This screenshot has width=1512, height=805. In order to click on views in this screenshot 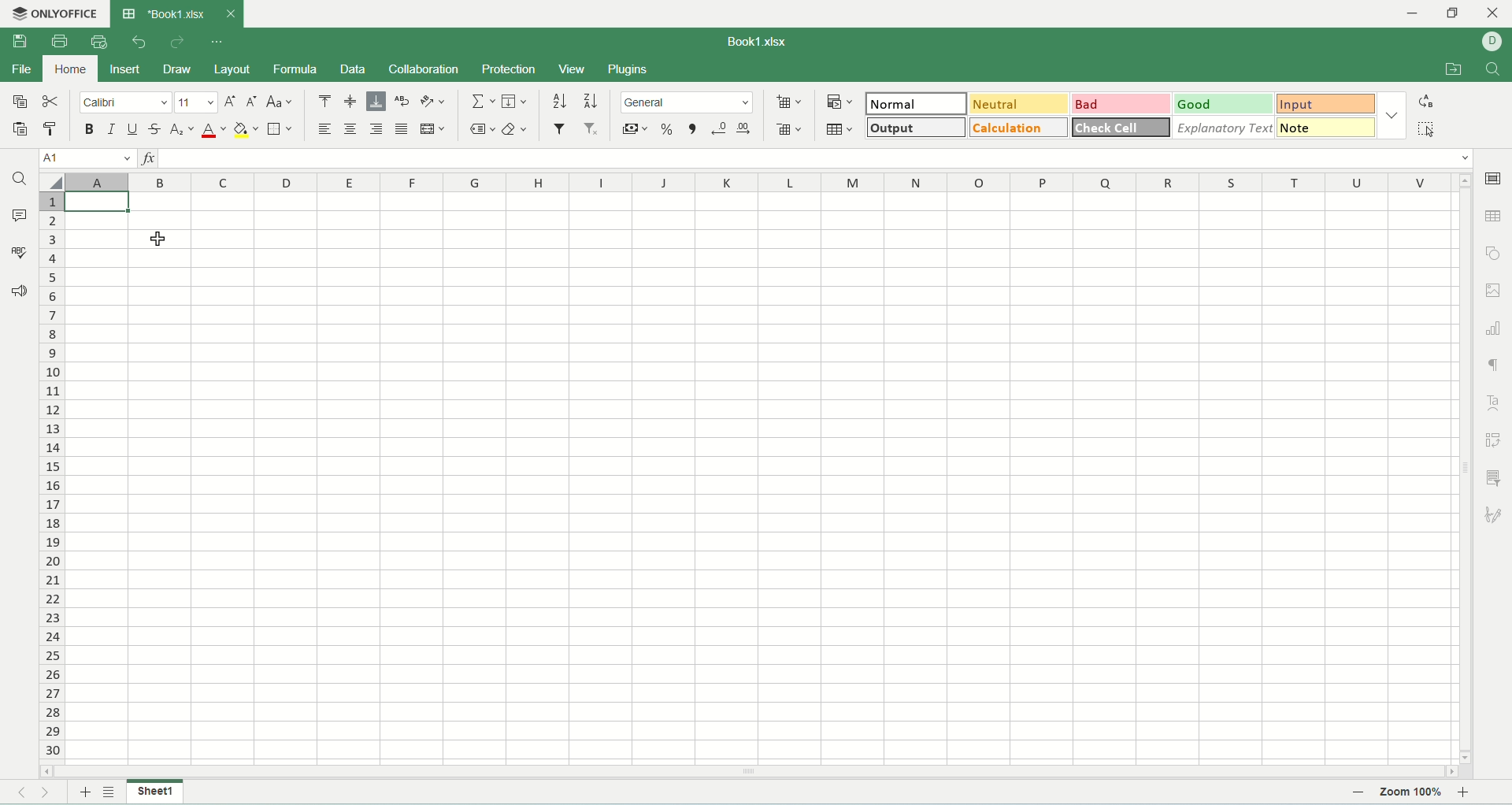, I will do `click(573, 69)`.